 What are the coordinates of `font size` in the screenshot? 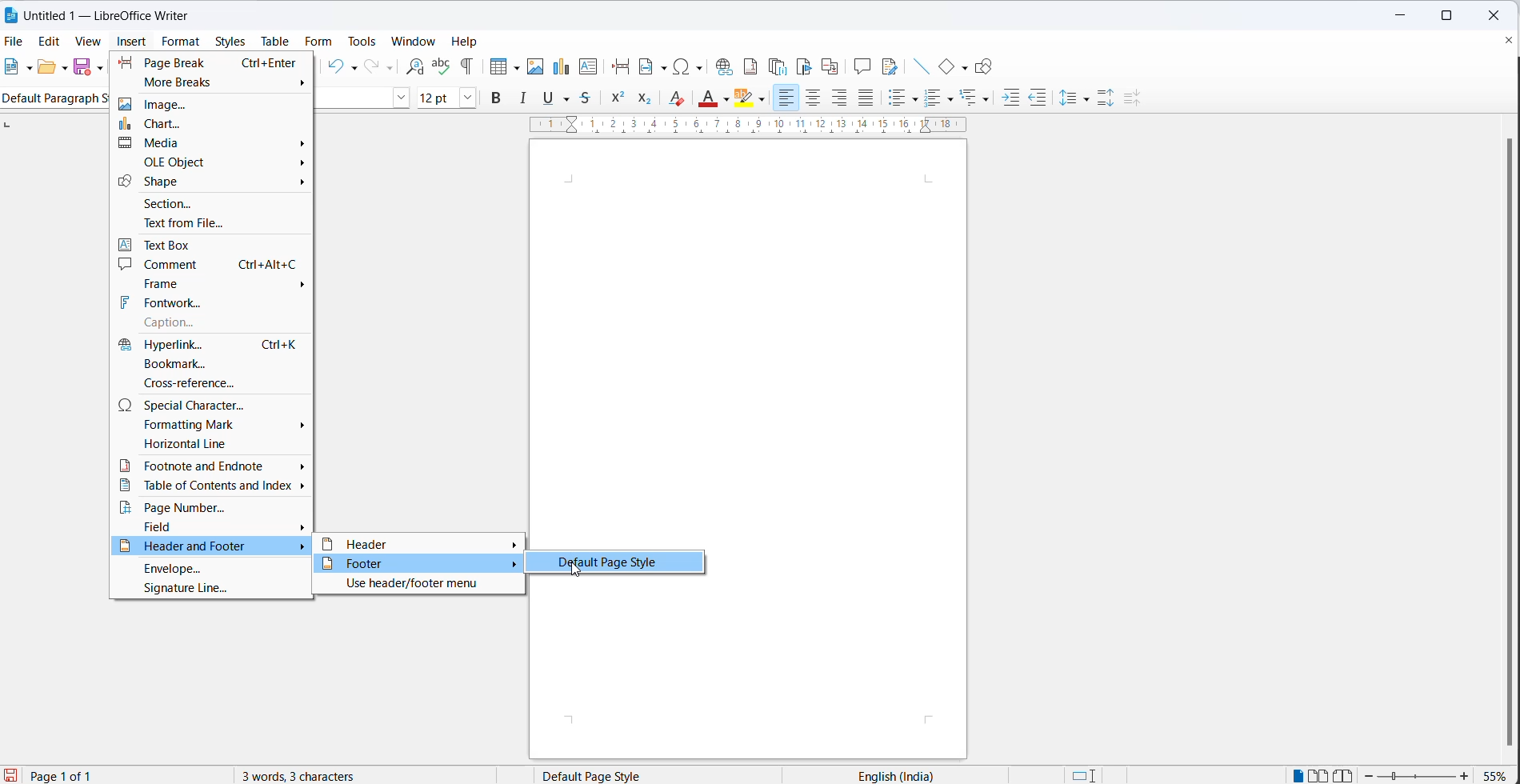 It's located at (437, 98).